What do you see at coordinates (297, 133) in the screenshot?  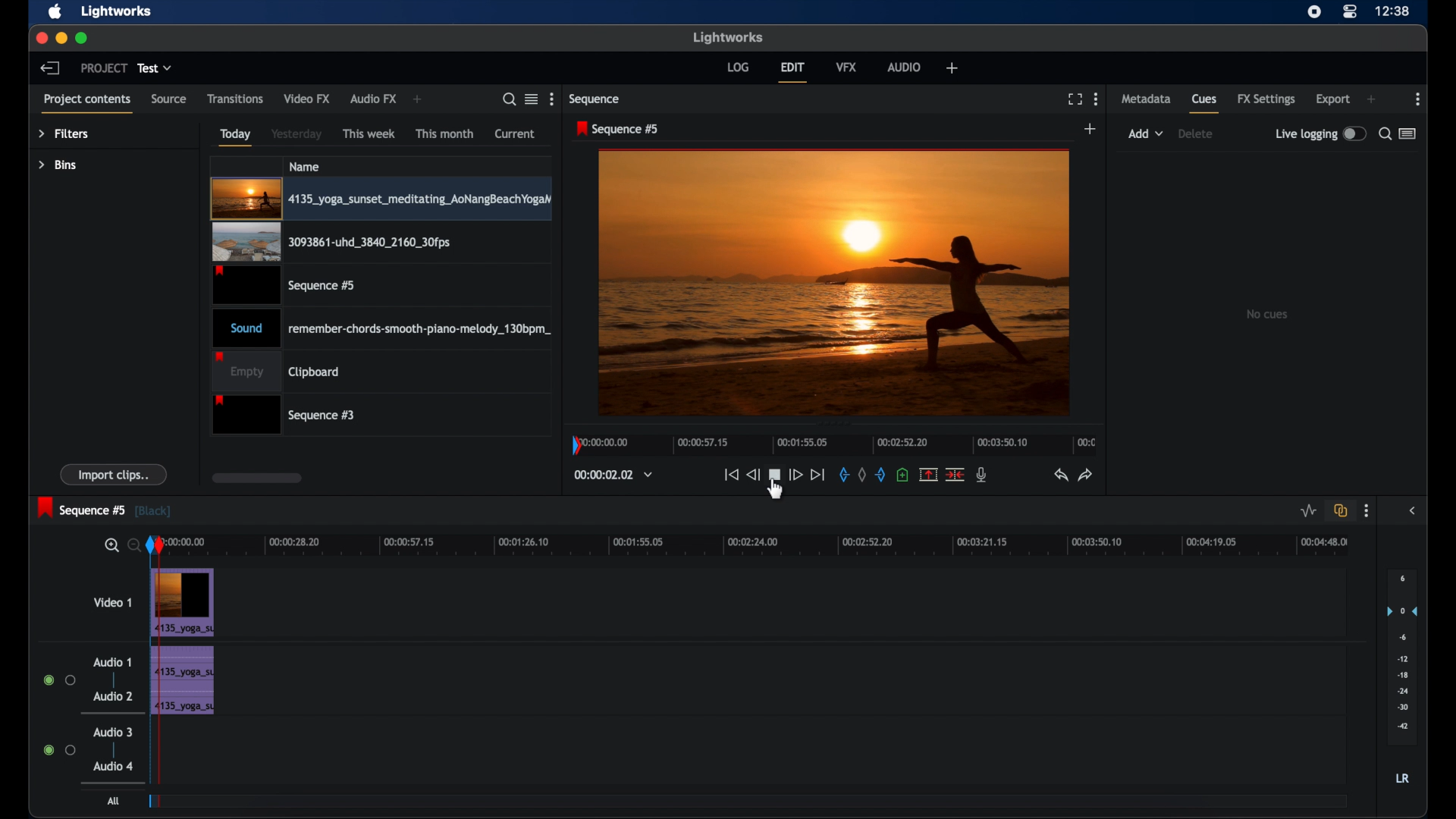 I see `yesterday` at bounding box center [297, 133].